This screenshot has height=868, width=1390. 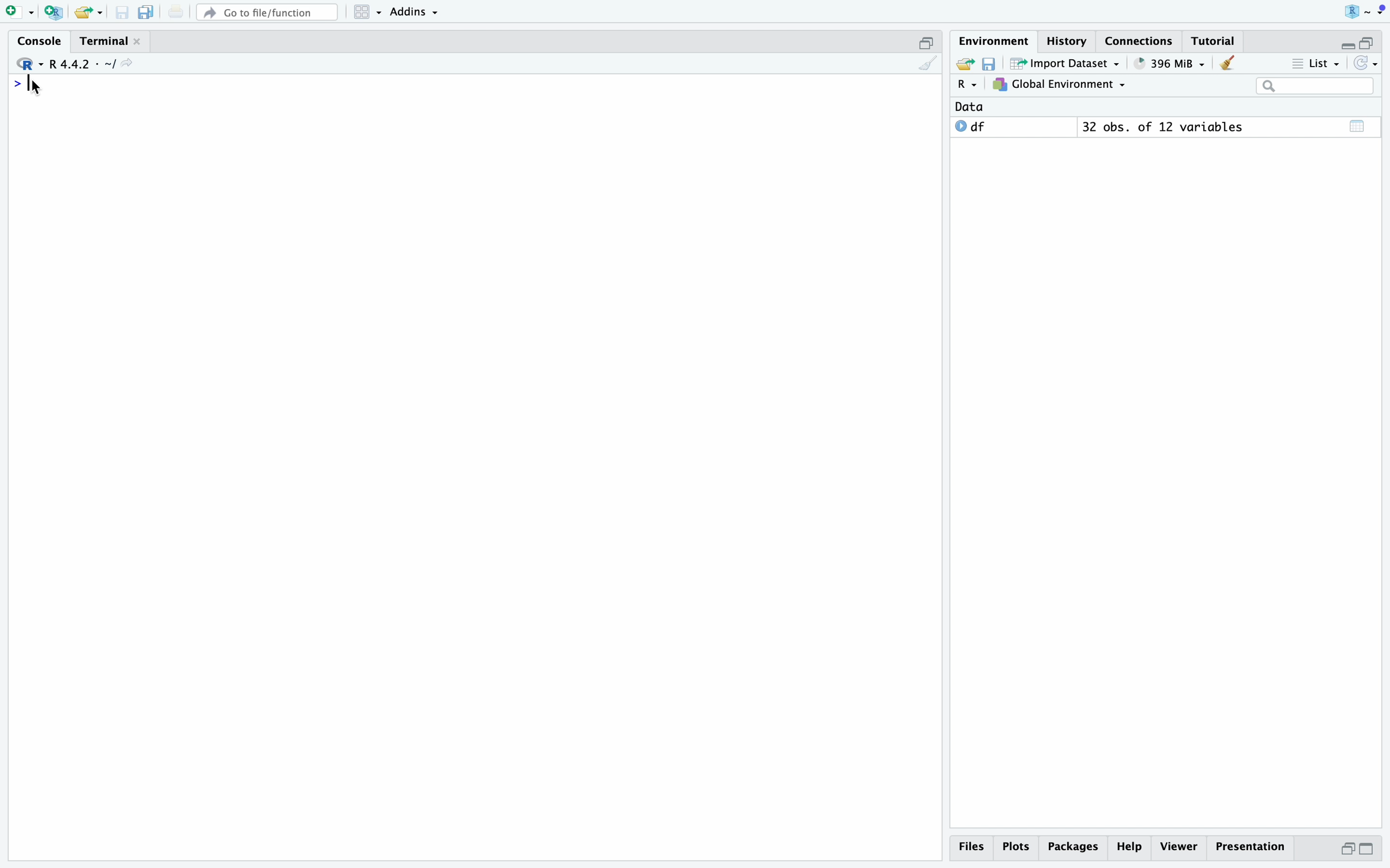 I want to click on >, so click(x=16, y=84).